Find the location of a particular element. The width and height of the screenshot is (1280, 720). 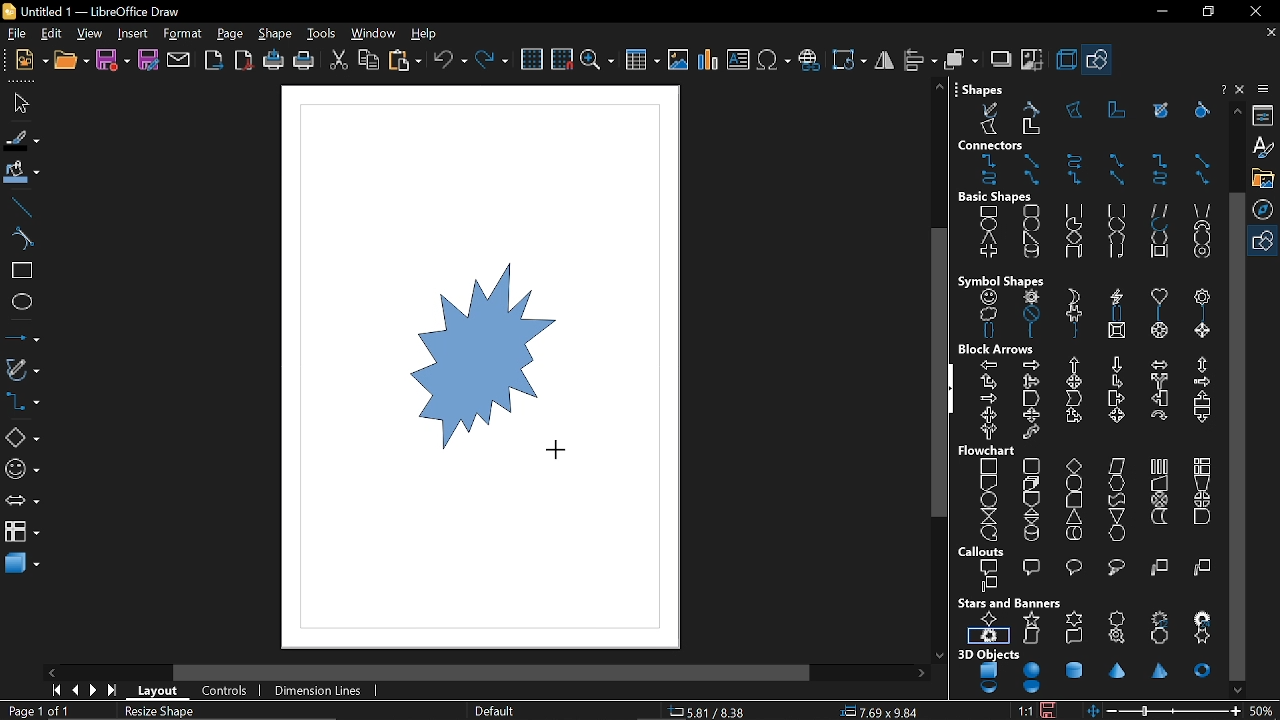

go to first page is located at coordinates (58, 692).